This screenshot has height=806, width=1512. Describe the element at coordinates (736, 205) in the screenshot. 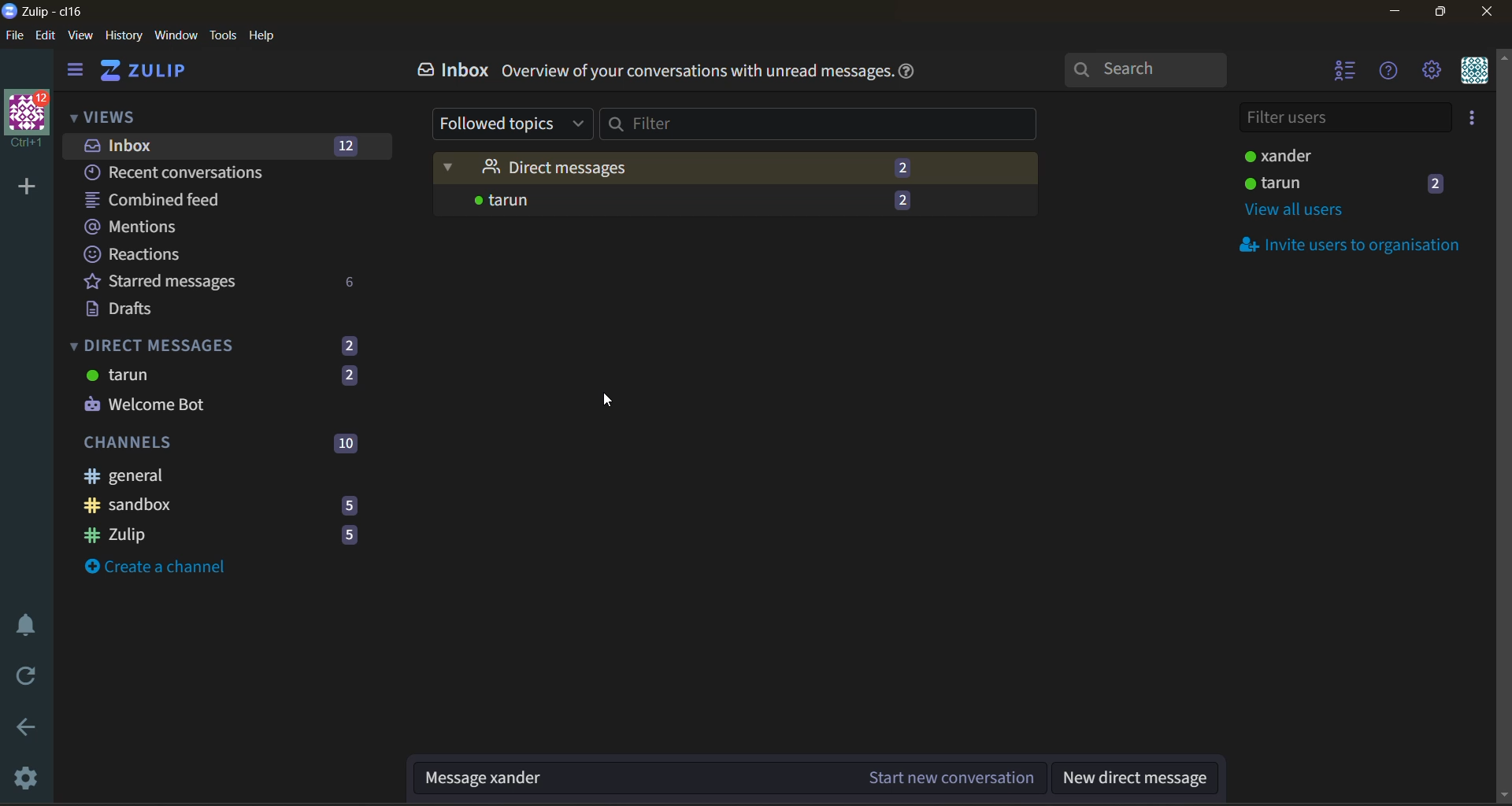

I see `tarun -2 (messages)` at that location.